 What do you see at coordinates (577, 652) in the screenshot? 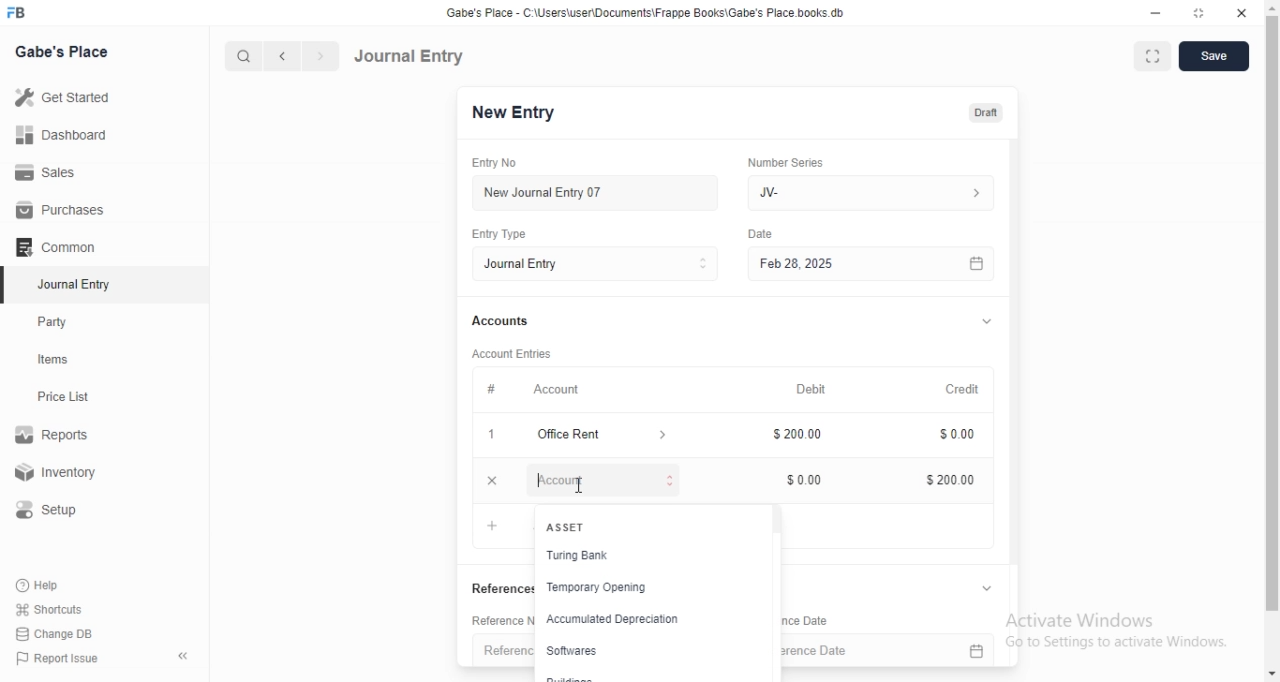
I see `softwares` at bounding box center [577, 652].